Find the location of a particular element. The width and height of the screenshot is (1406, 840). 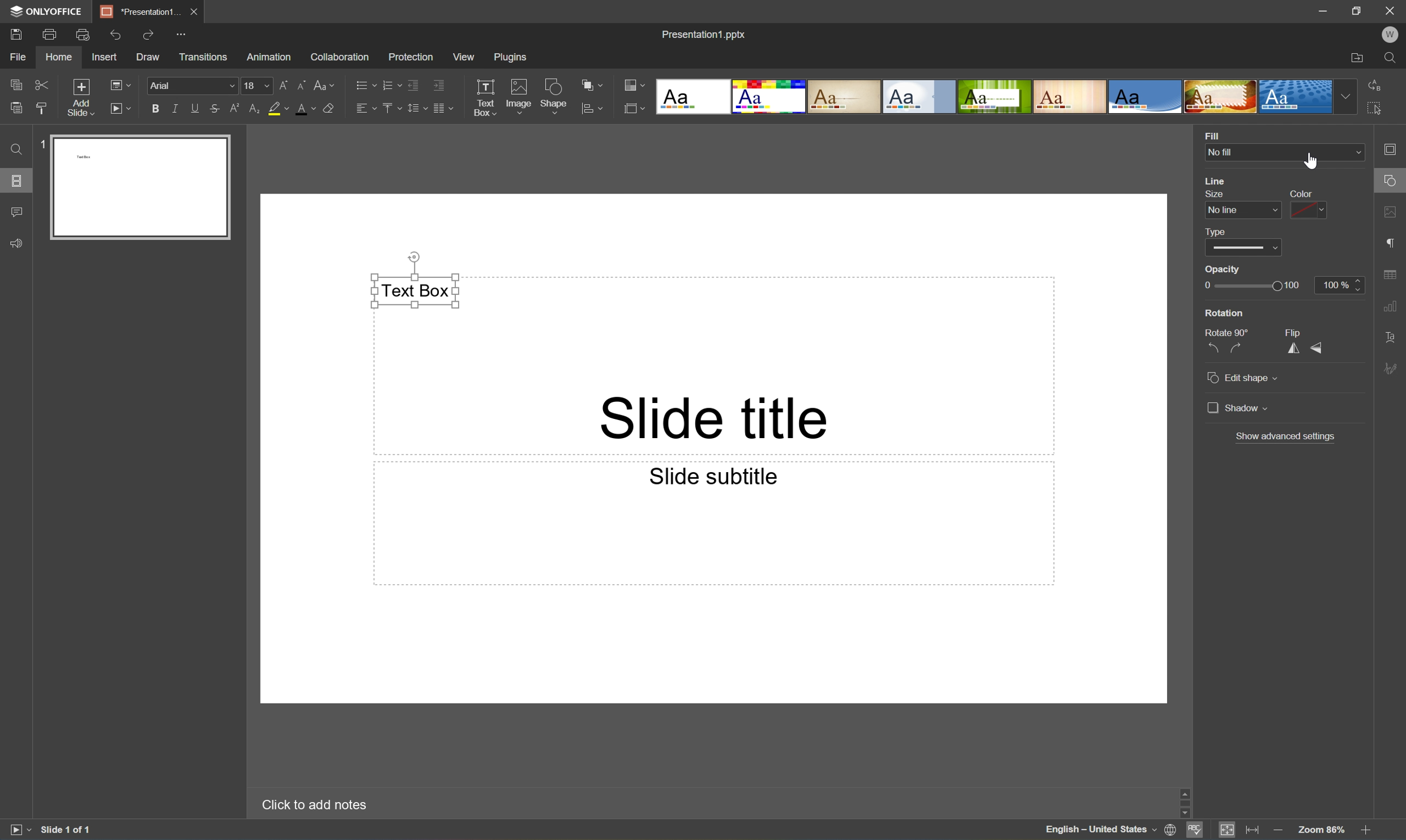

Redo is located at coordinates (148, 33).